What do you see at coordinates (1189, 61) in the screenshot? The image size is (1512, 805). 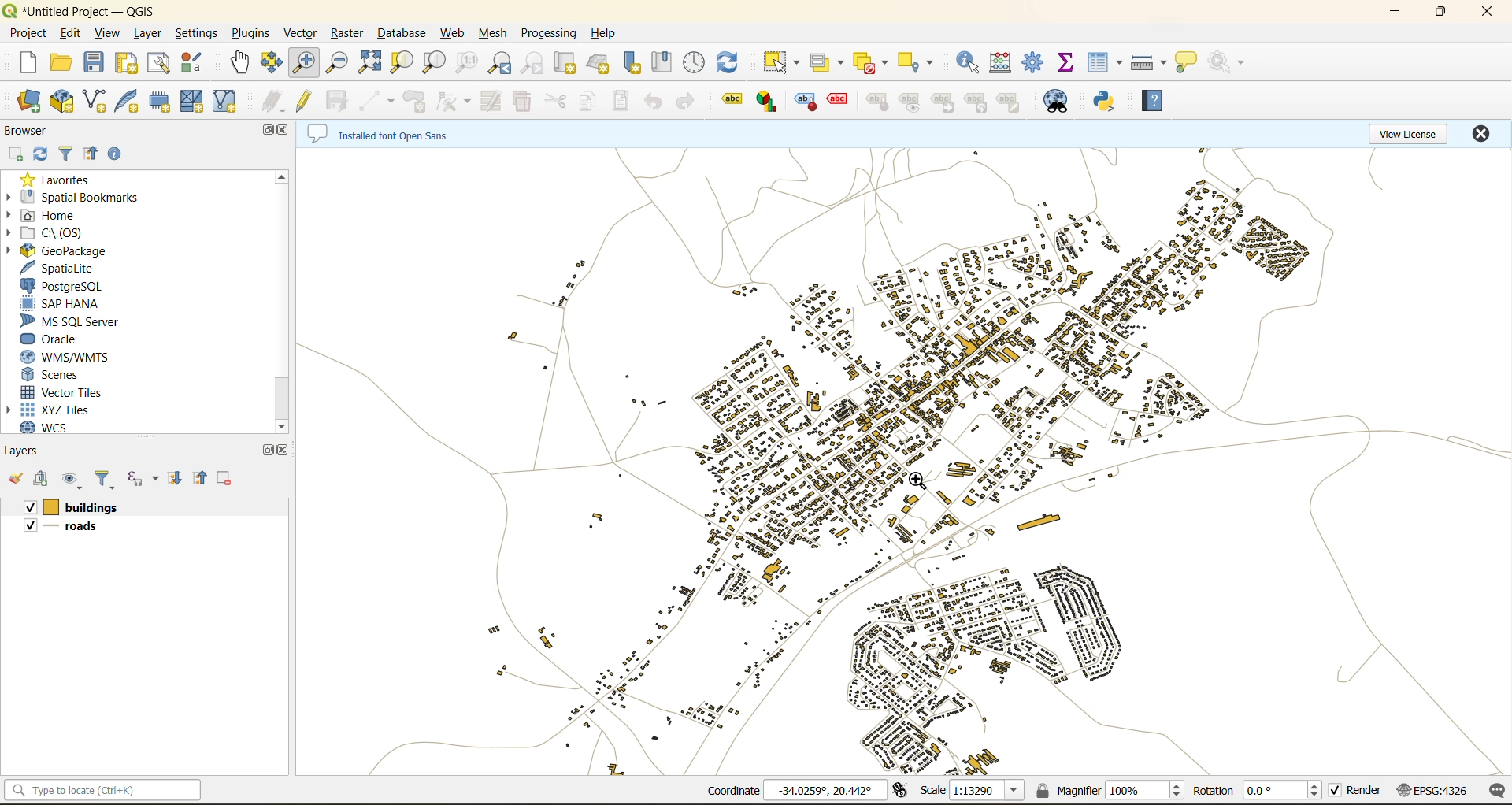 I see `show tips` at bounding box center [1189, 61].